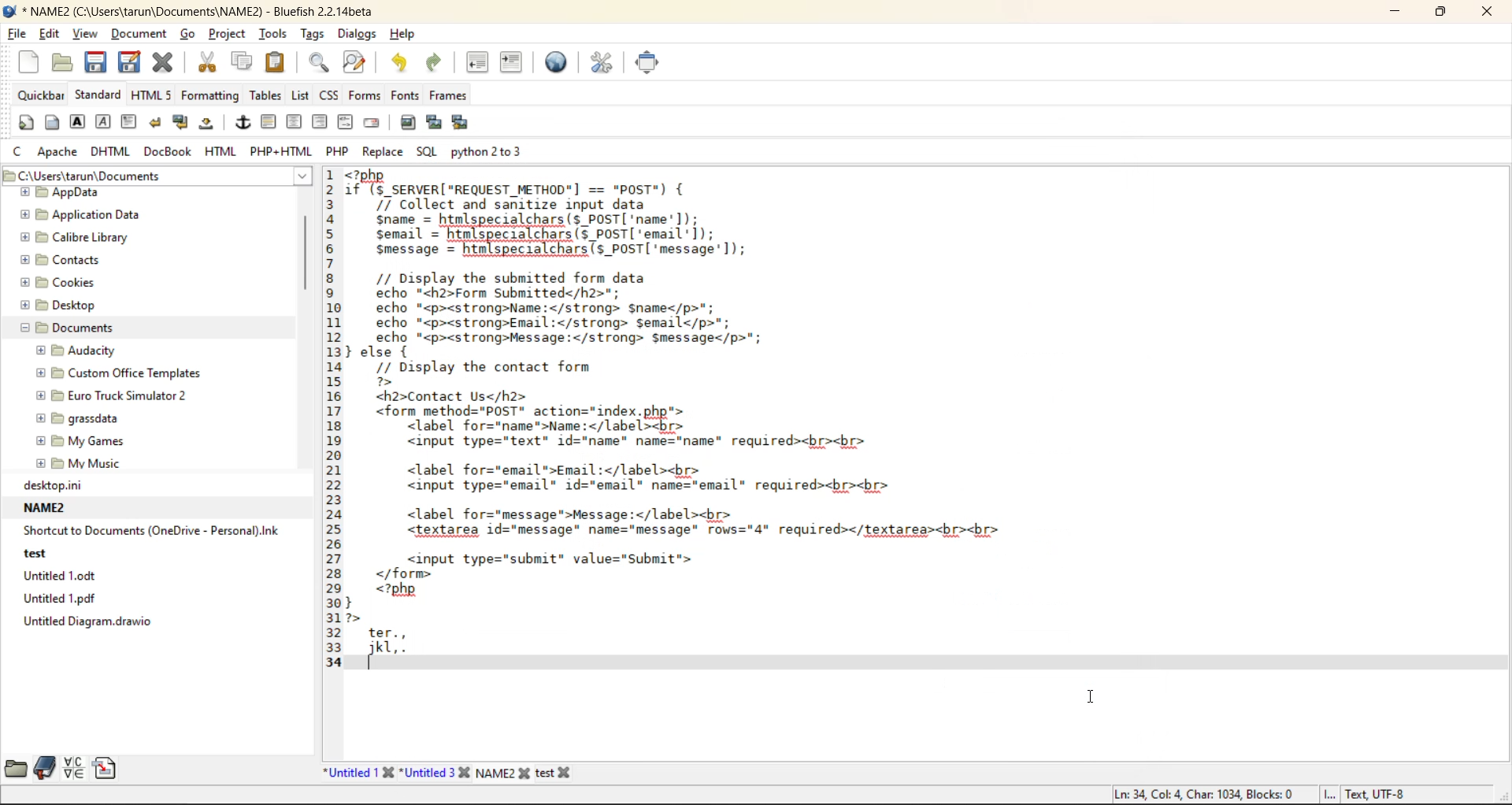  Describe the element at coordinates (274, 34) in the screenshot. I see `tools` at that location.